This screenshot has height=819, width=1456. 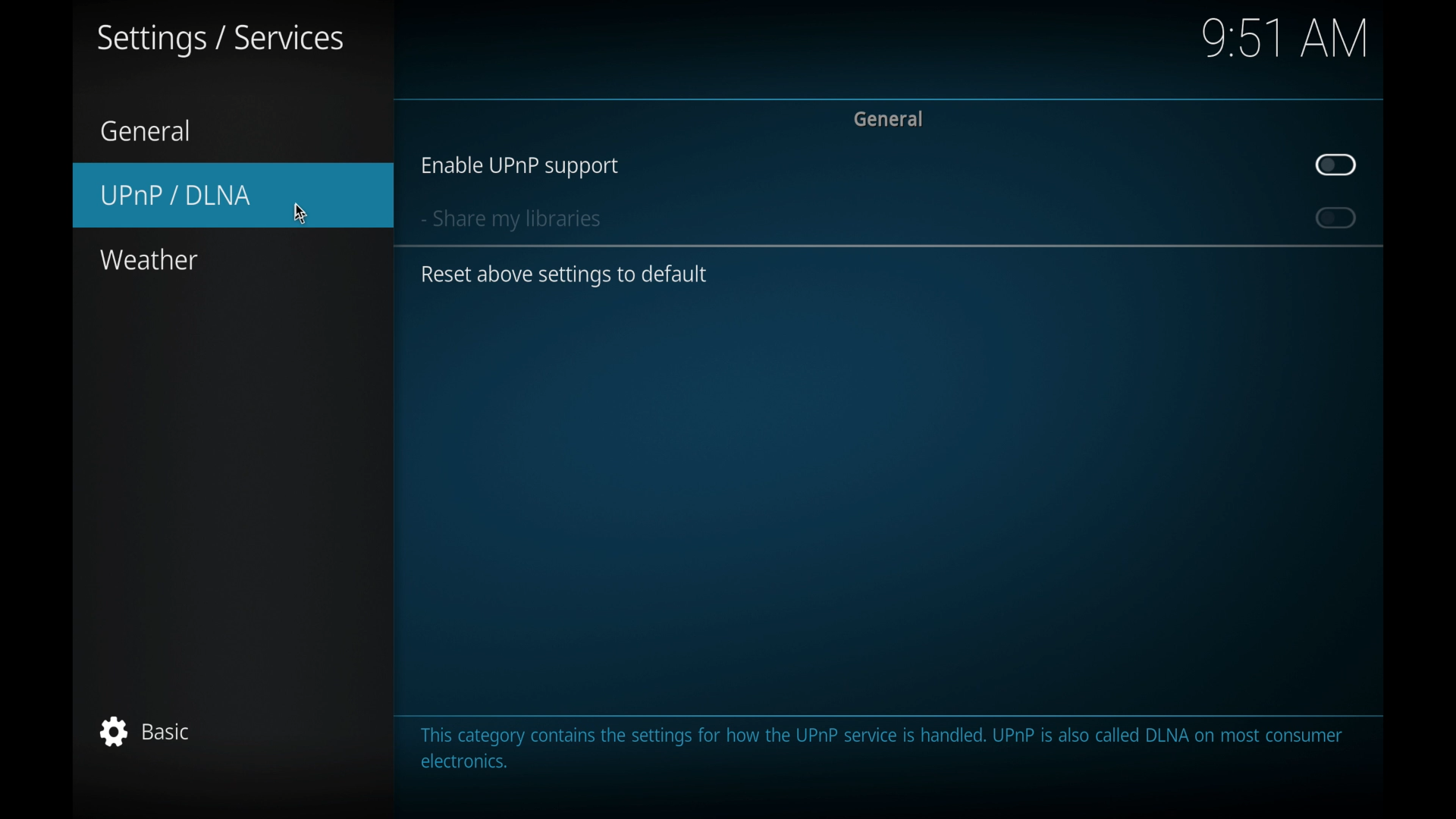 I want to click on UPnP/DLNA, so click(x=235, y=195).